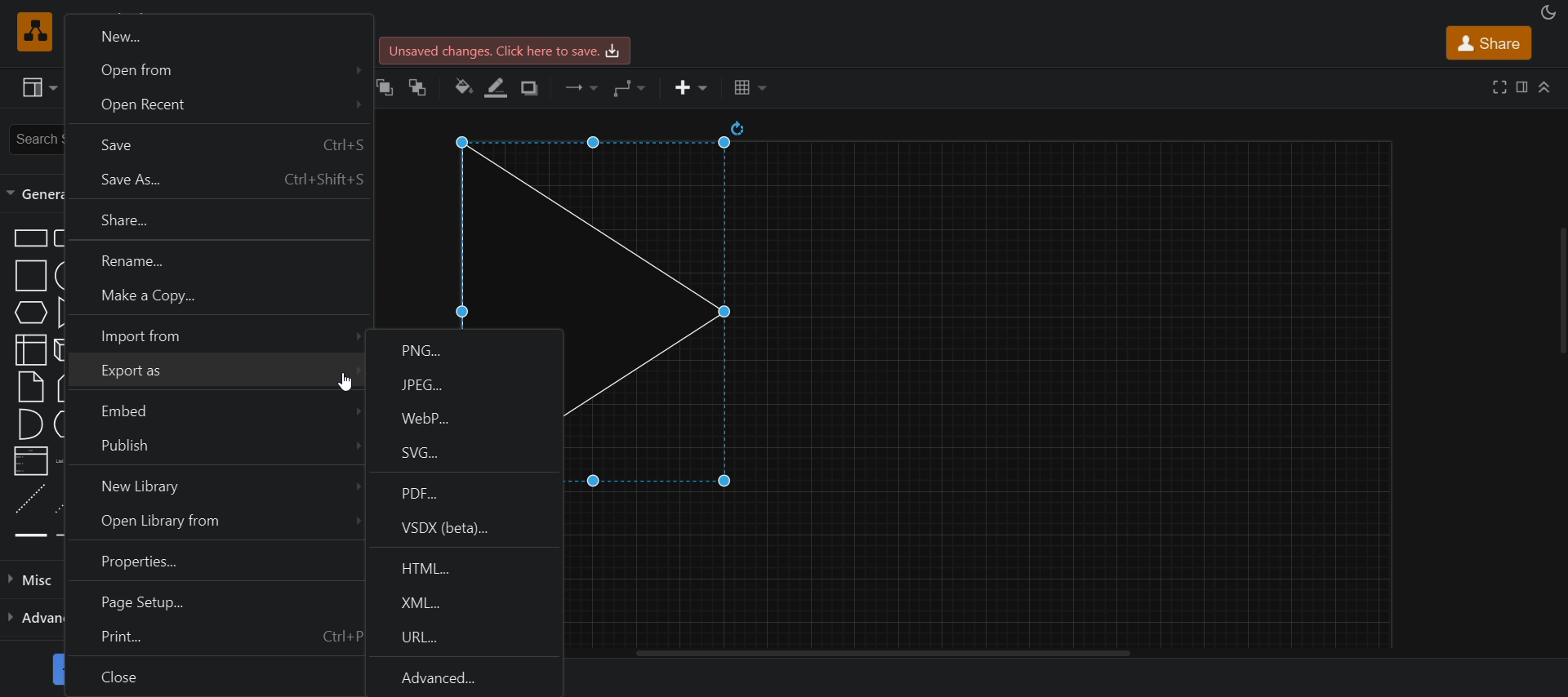 The width and height of the screenshot is (1568, 697). What do you see at coordinates (463, 455) in the screenshot?
I see `svg` at bounding box center [463, 455].